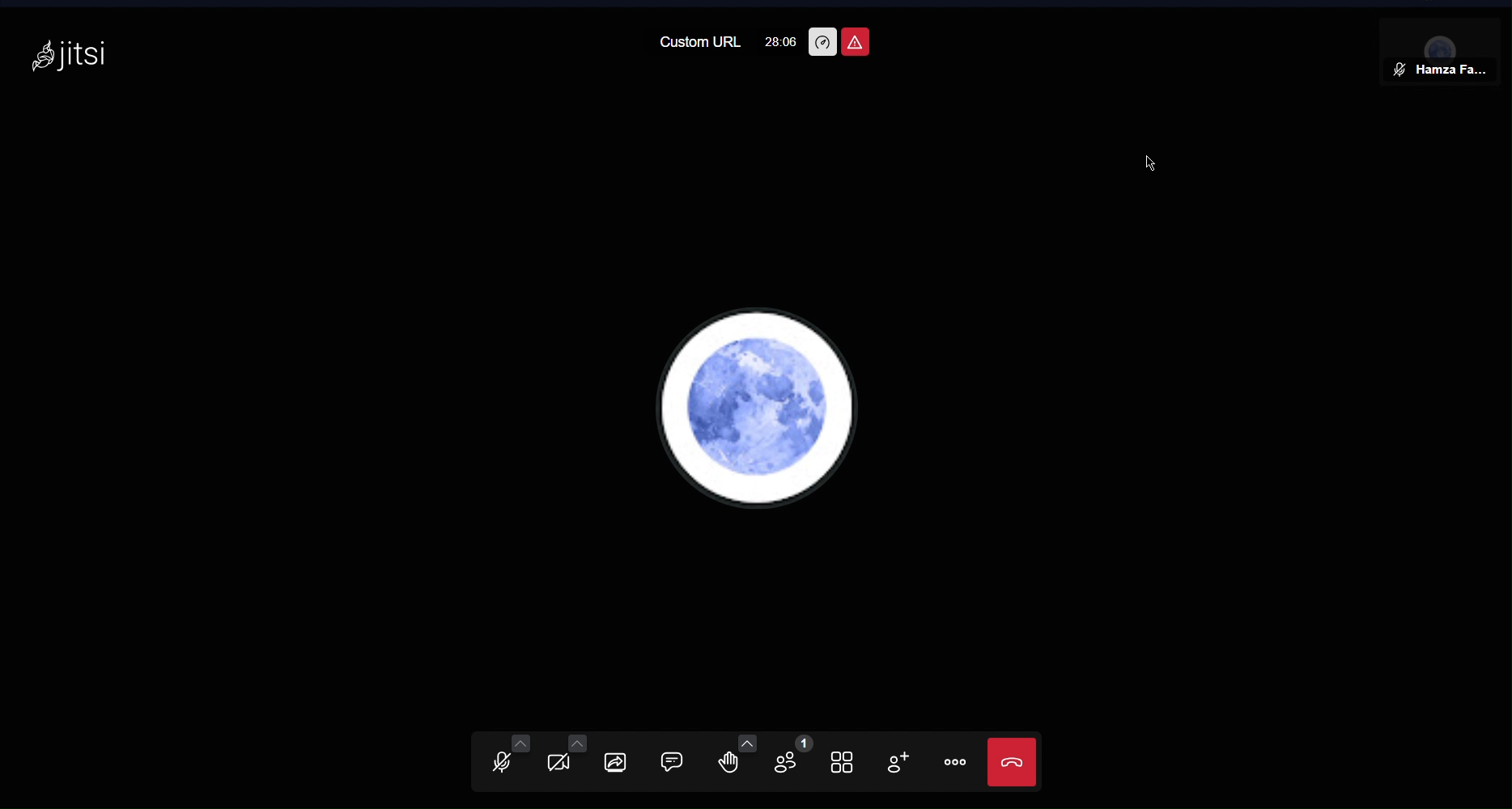  I want to click on Add Participant, so click(903, 763).